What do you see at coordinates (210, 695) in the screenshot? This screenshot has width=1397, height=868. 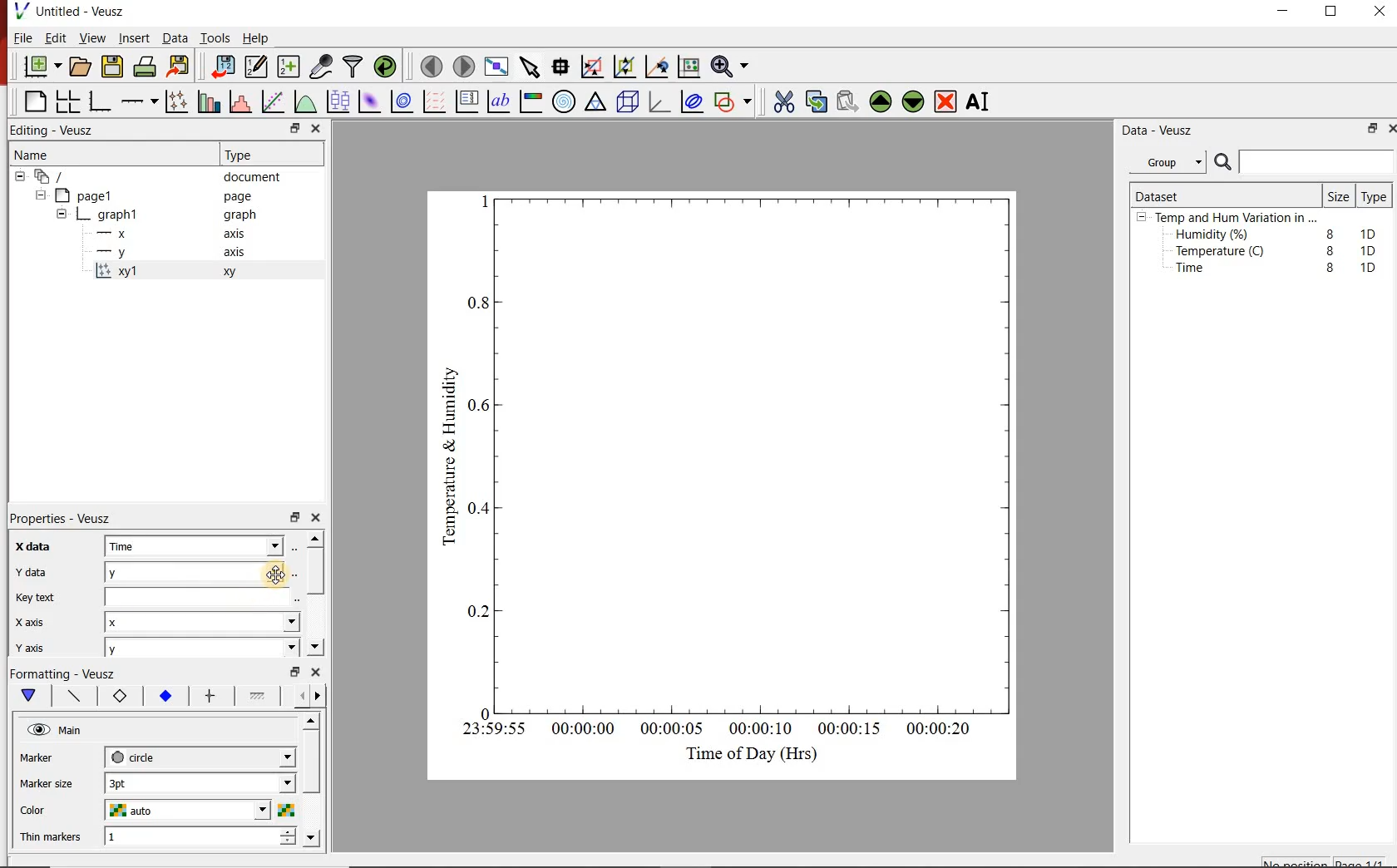 I see `error bar line` at bounding box center [210, 695].